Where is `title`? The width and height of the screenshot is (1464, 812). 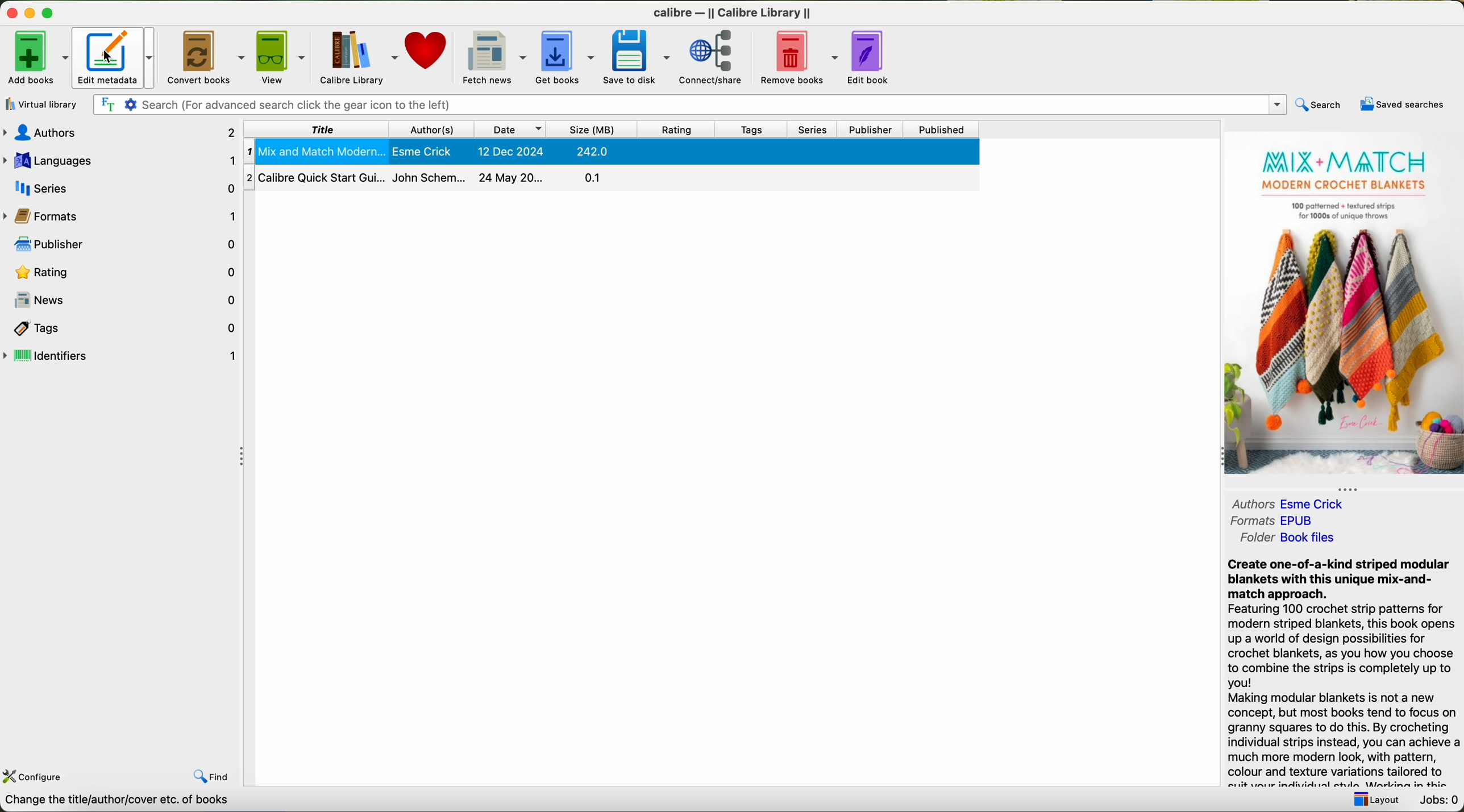 title is located at coordinates (318, 129).